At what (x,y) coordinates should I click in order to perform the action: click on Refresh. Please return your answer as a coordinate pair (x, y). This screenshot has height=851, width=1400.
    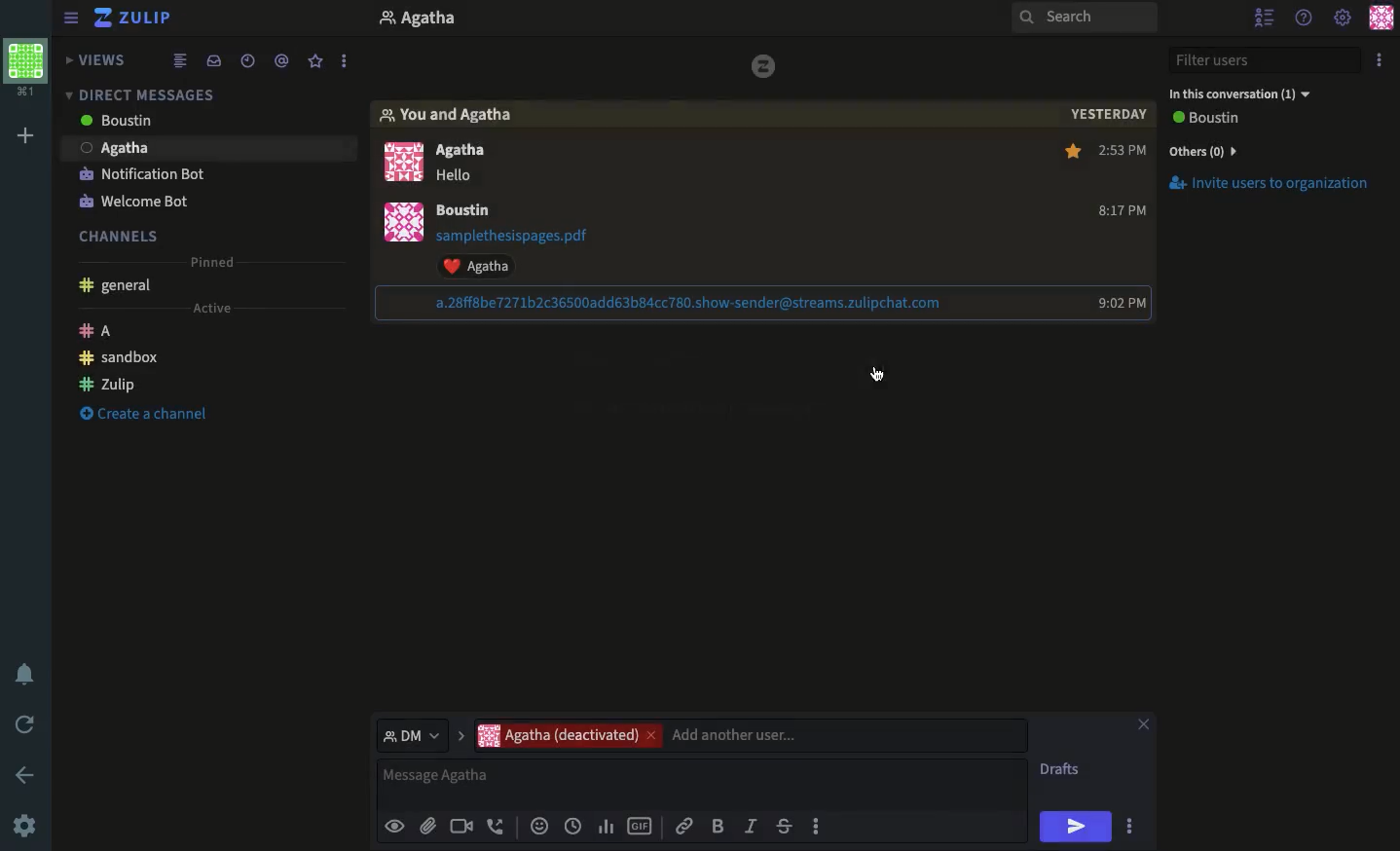
    Looking at the image, I should click on (28, 722).